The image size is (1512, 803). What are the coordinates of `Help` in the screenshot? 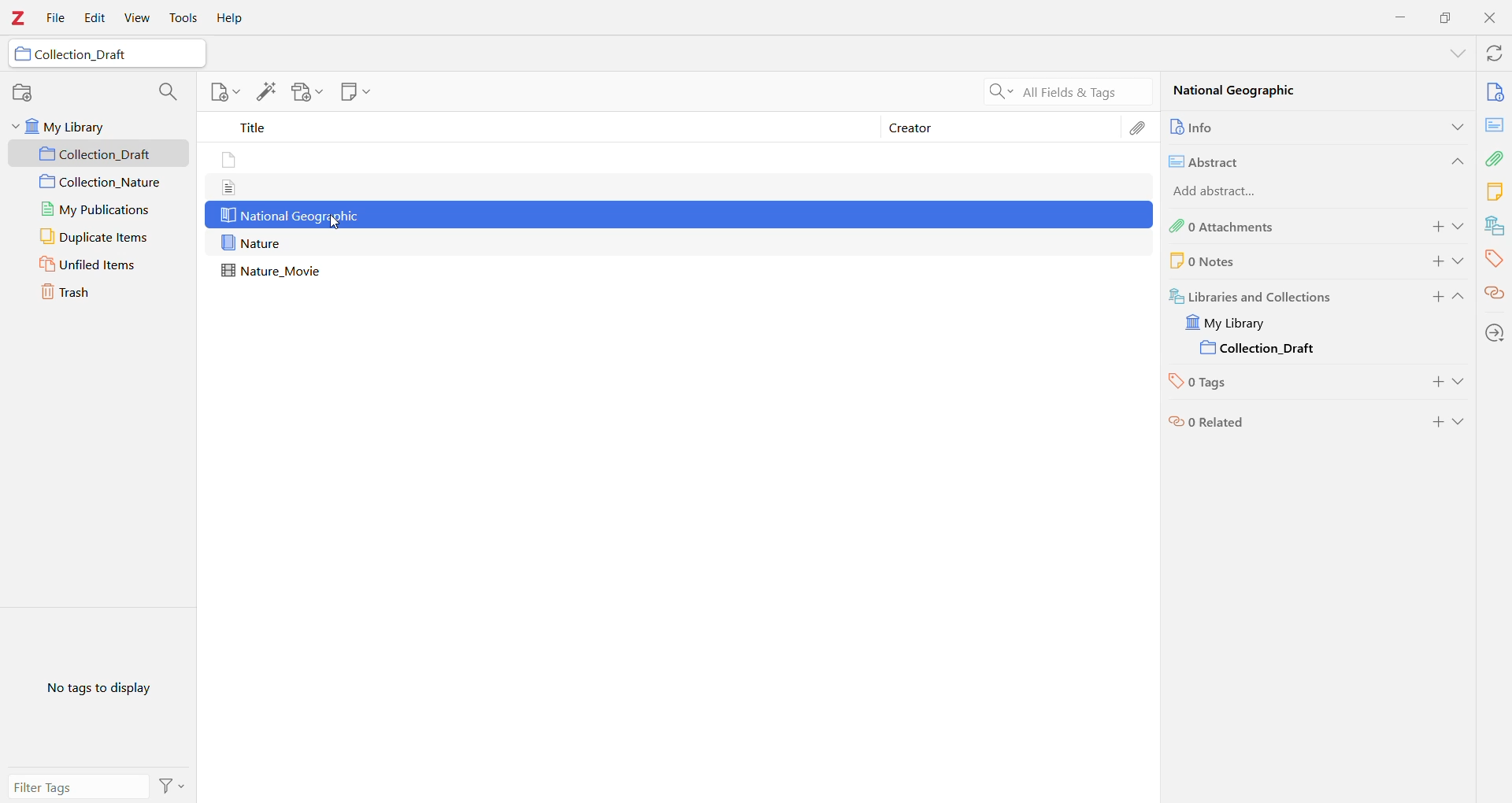 It's located at (234, 18).